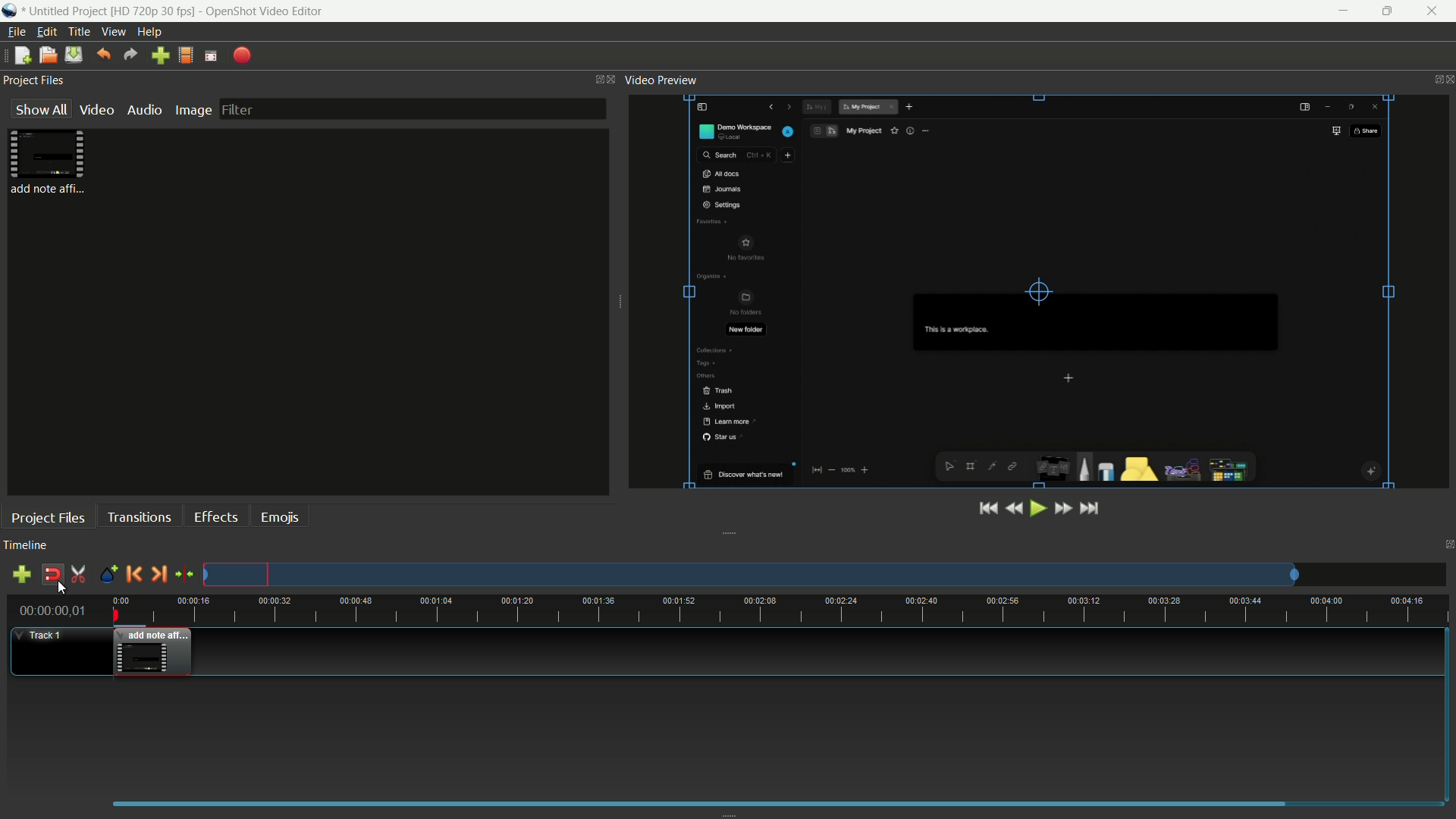 The height and width of the screenshot is (819, 1456). I want to click on redo, so click(129, 55).